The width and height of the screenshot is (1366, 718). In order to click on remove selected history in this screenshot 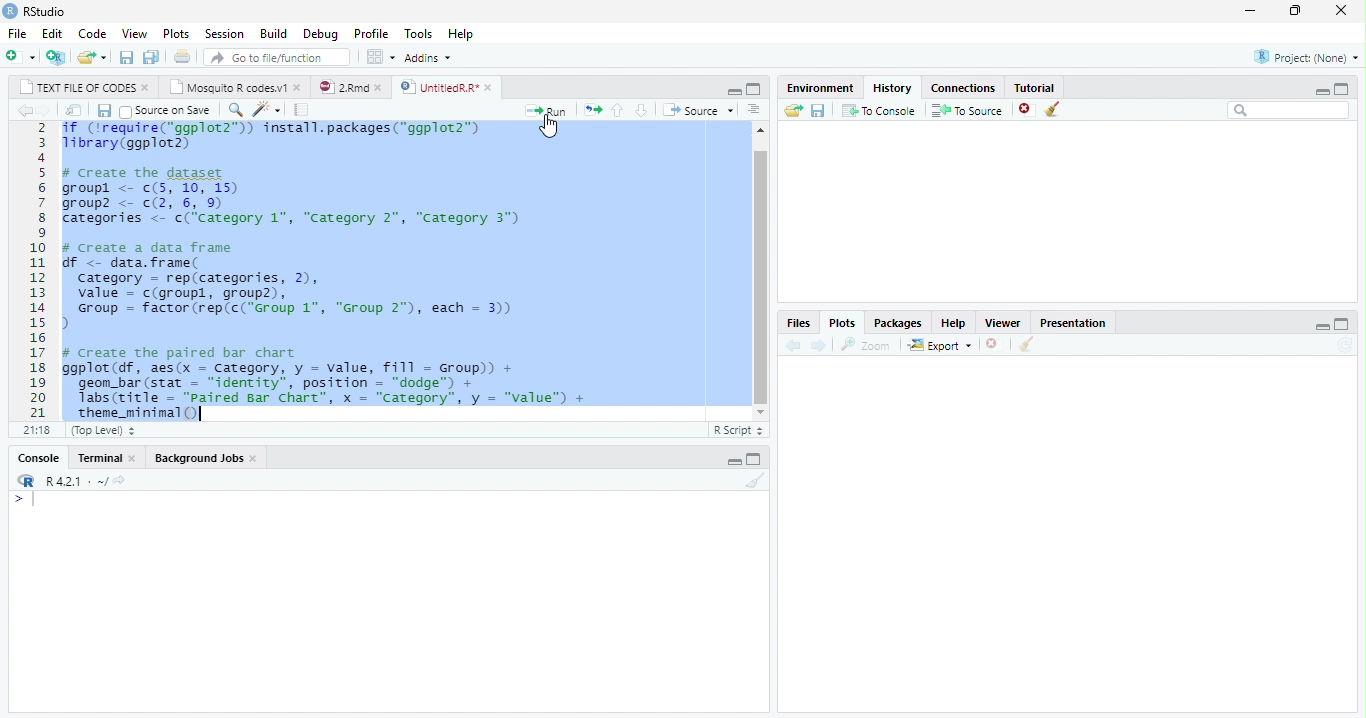, I will do `click(1021, 110)`.